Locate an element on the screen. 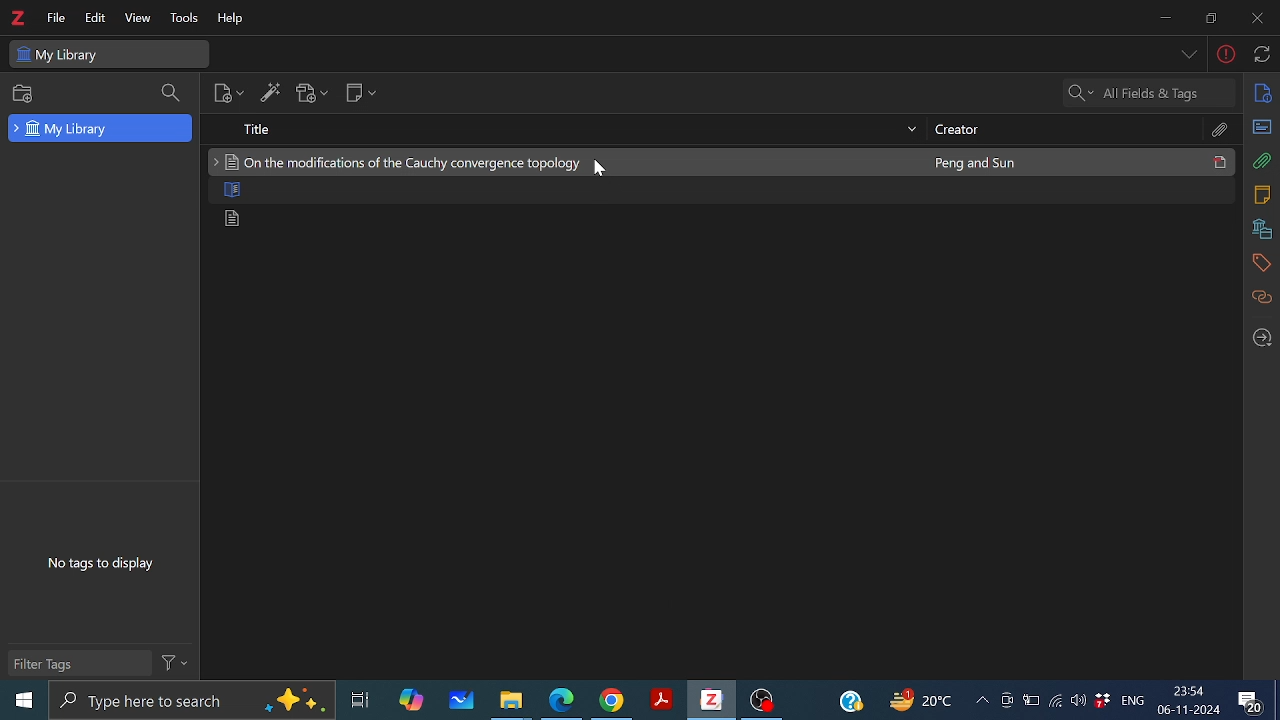 The height and width of the screenshot is (720, 1280).  is located at coordinates (602, 170).